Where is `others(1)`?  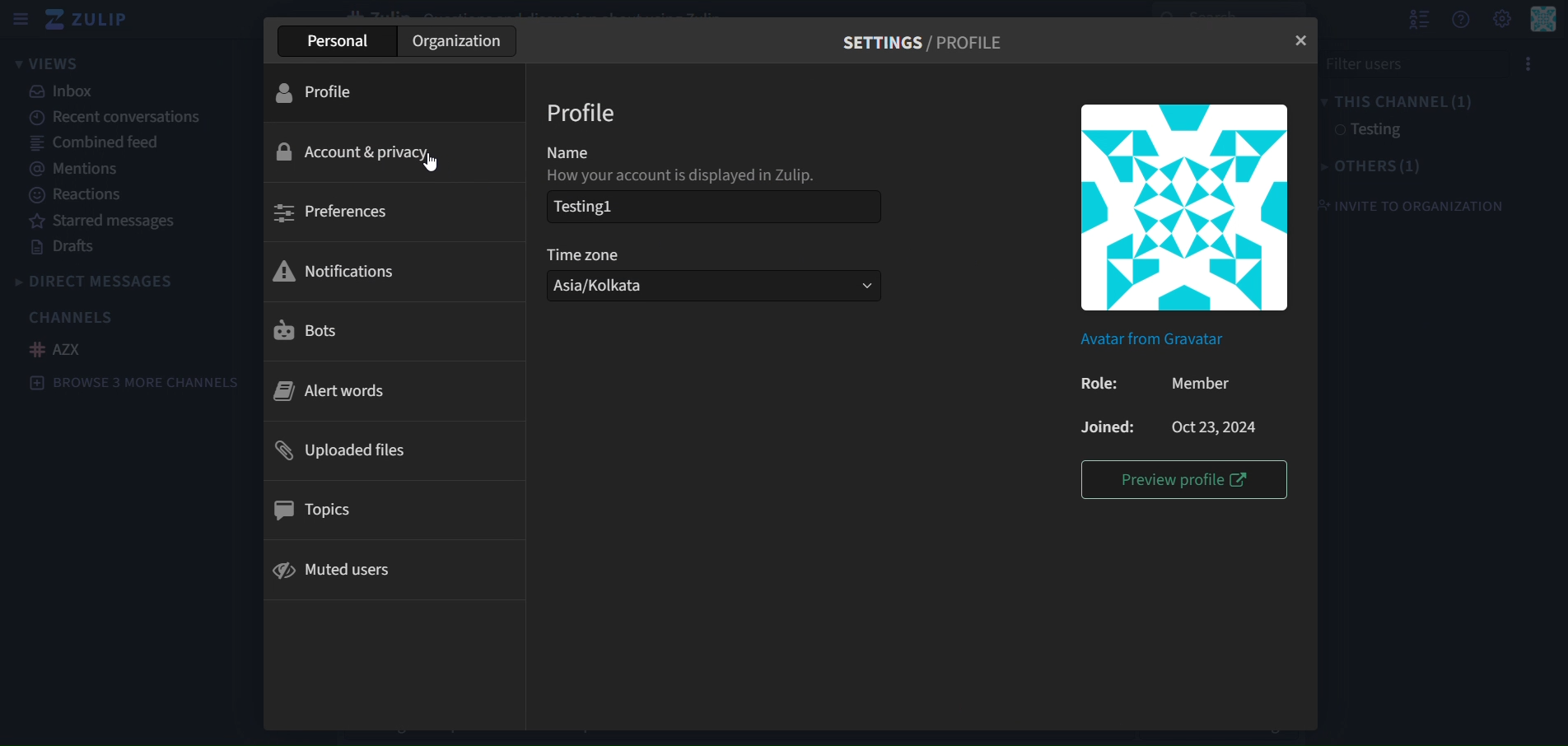 others(1) is located at coordinates (1375, 165).